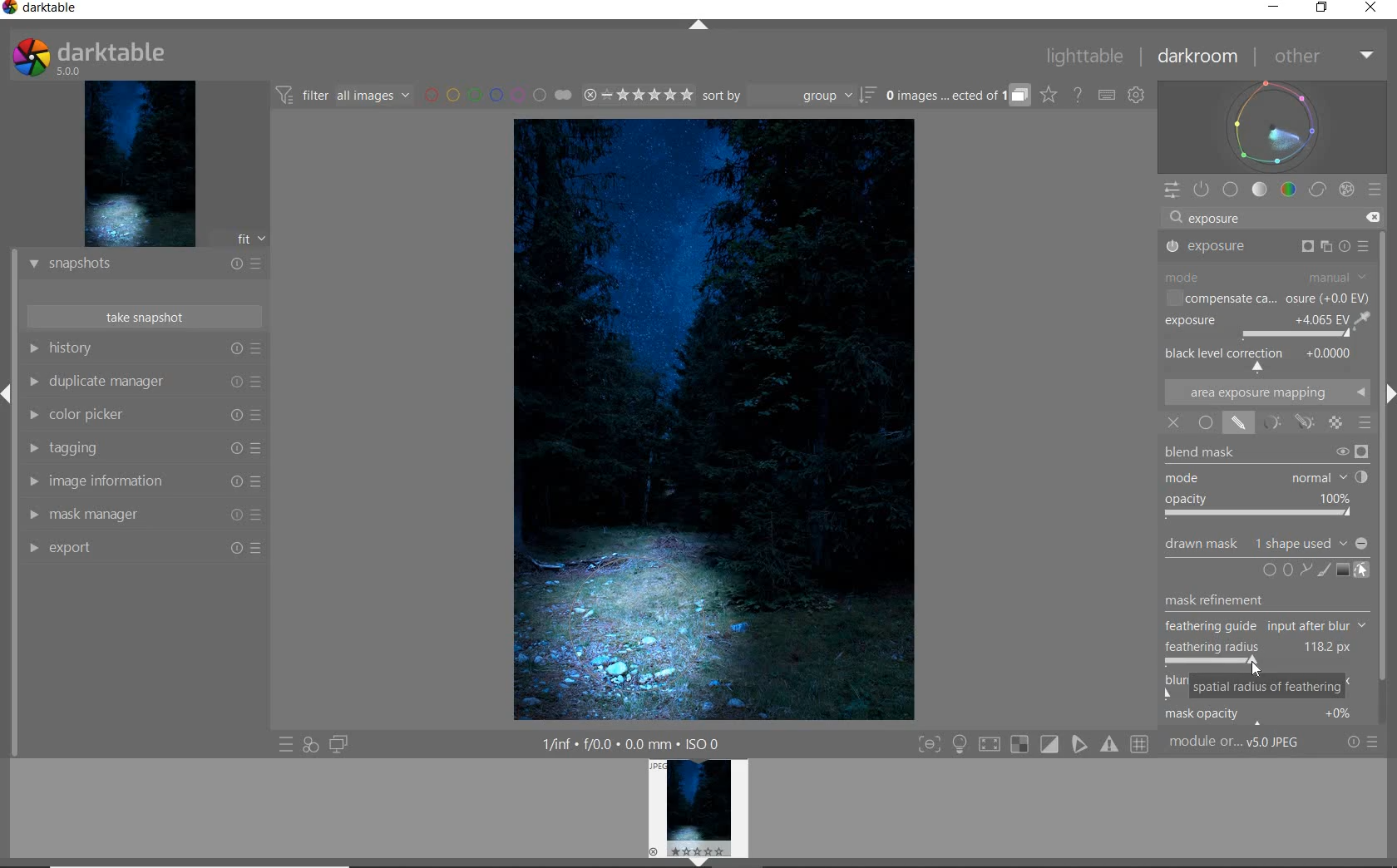 The width and height of the screenshot is (1397, 868). What do you see at coordinates (1084, 57) in the screenshot?
I see `LIGHTTABLE` at bounding box center [1084, 57].